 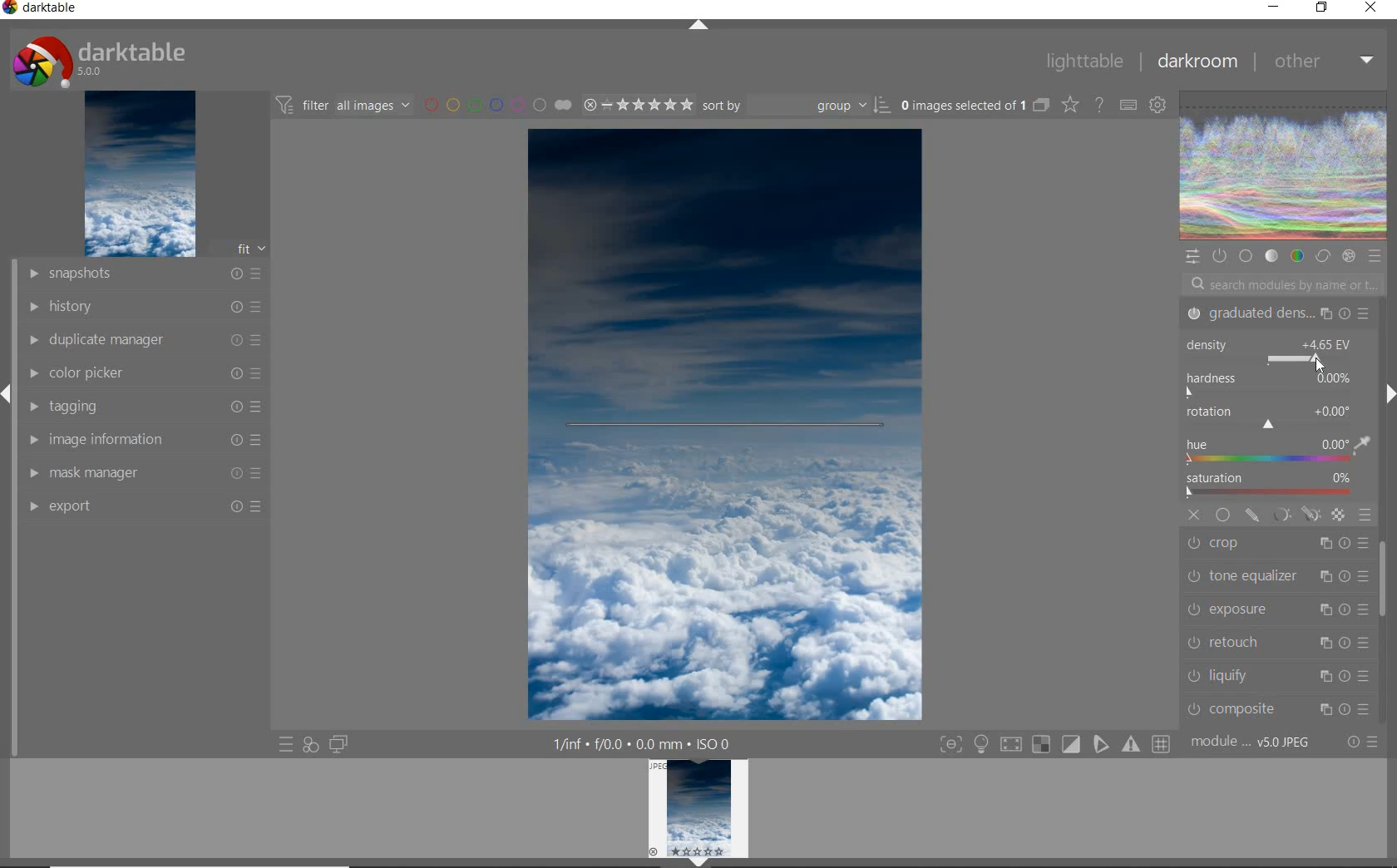 I want to click on CORRECT, so click(x=1322, y=255).